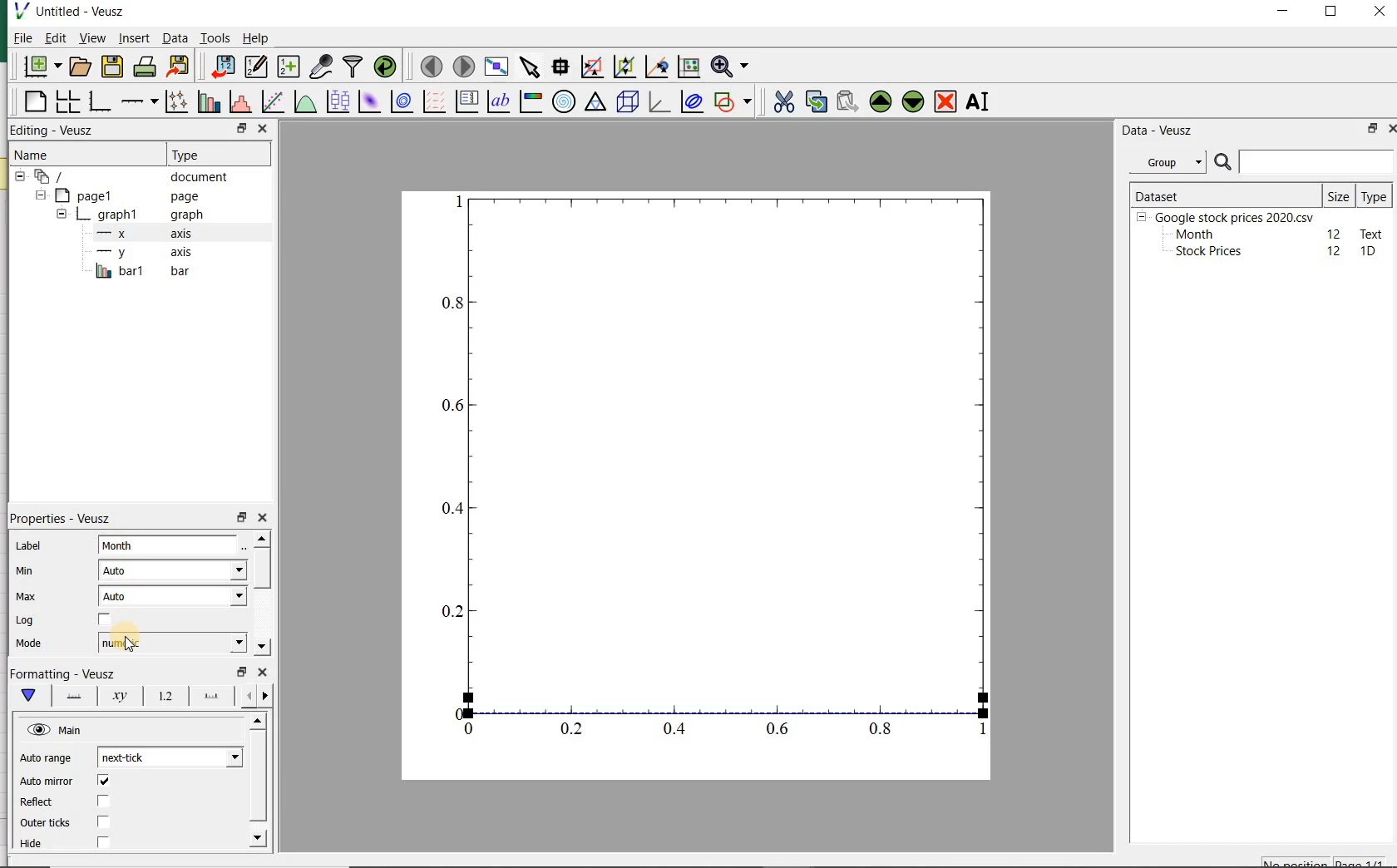 This screenshot has height=868, width=1397. Describe the element at coordinates (1335, 233) in the screenshot. I see `12` at that location.